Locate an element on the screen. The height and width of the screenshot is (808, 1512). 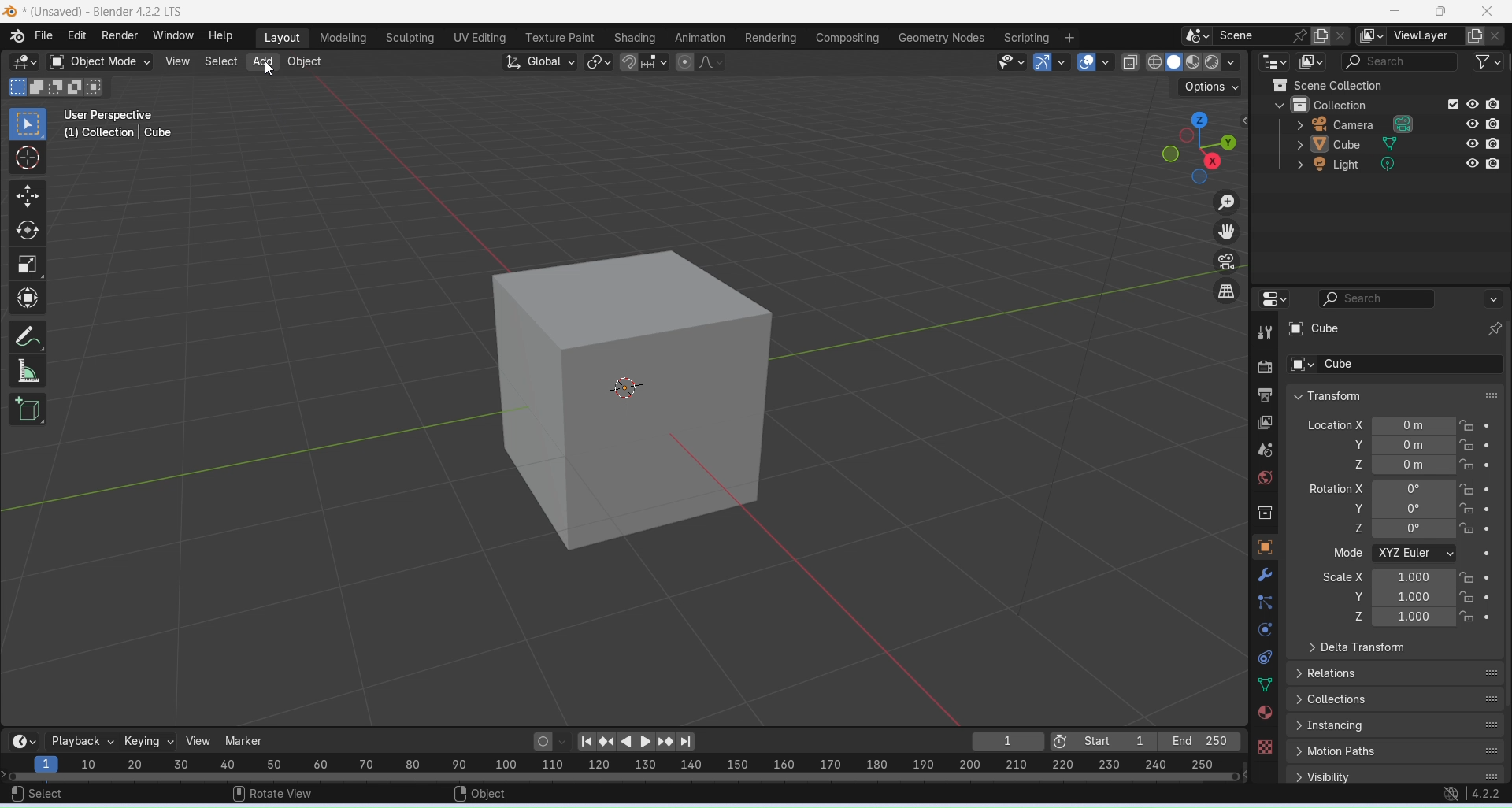
Texture part is located at coordinates (561, 38).